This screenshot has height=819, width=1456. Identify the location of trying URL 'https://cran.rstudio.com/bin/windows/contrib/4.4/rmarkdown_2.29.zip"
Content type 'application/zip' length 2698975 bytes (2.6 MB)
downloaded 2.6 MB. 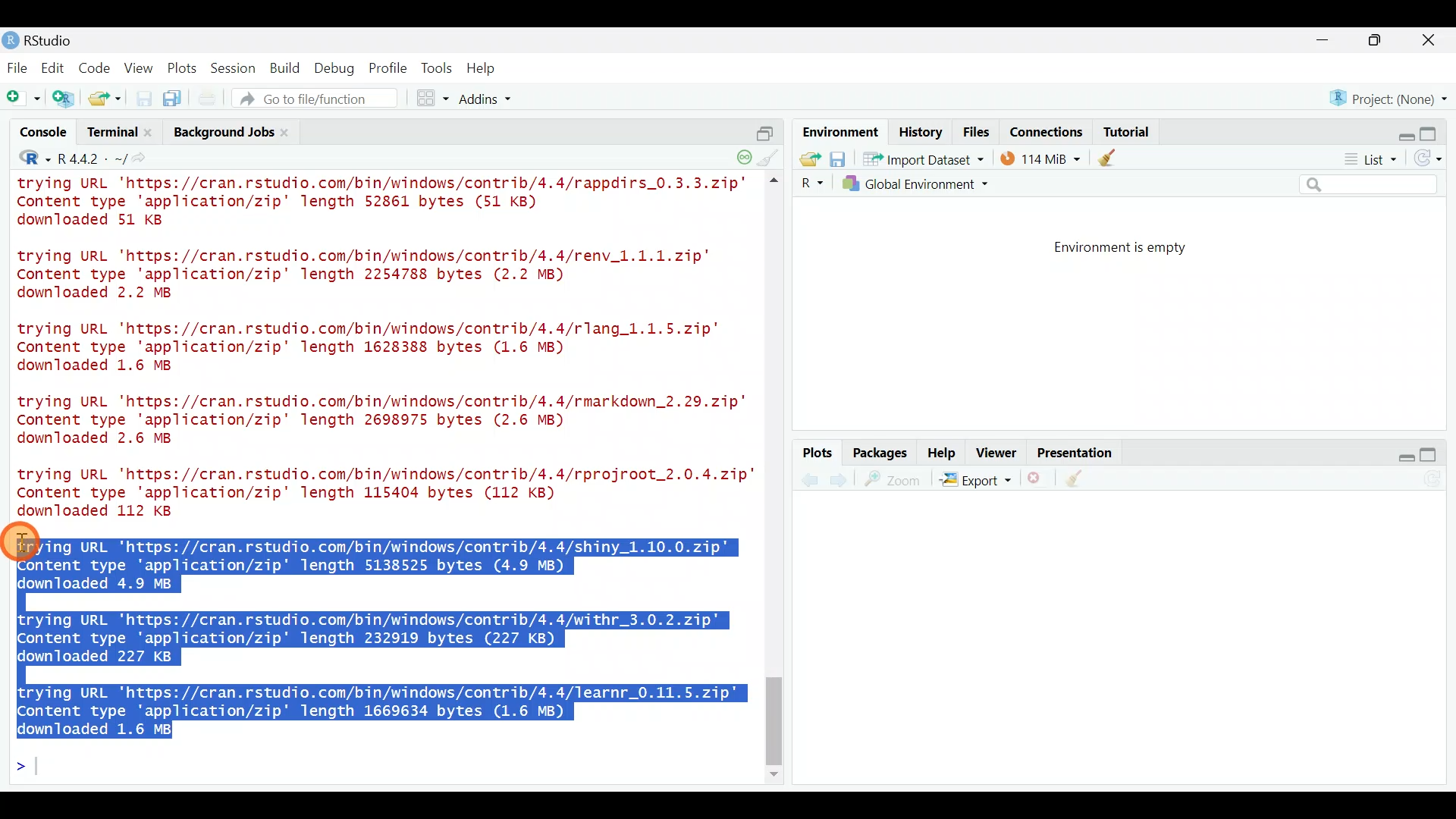
(385, 422).